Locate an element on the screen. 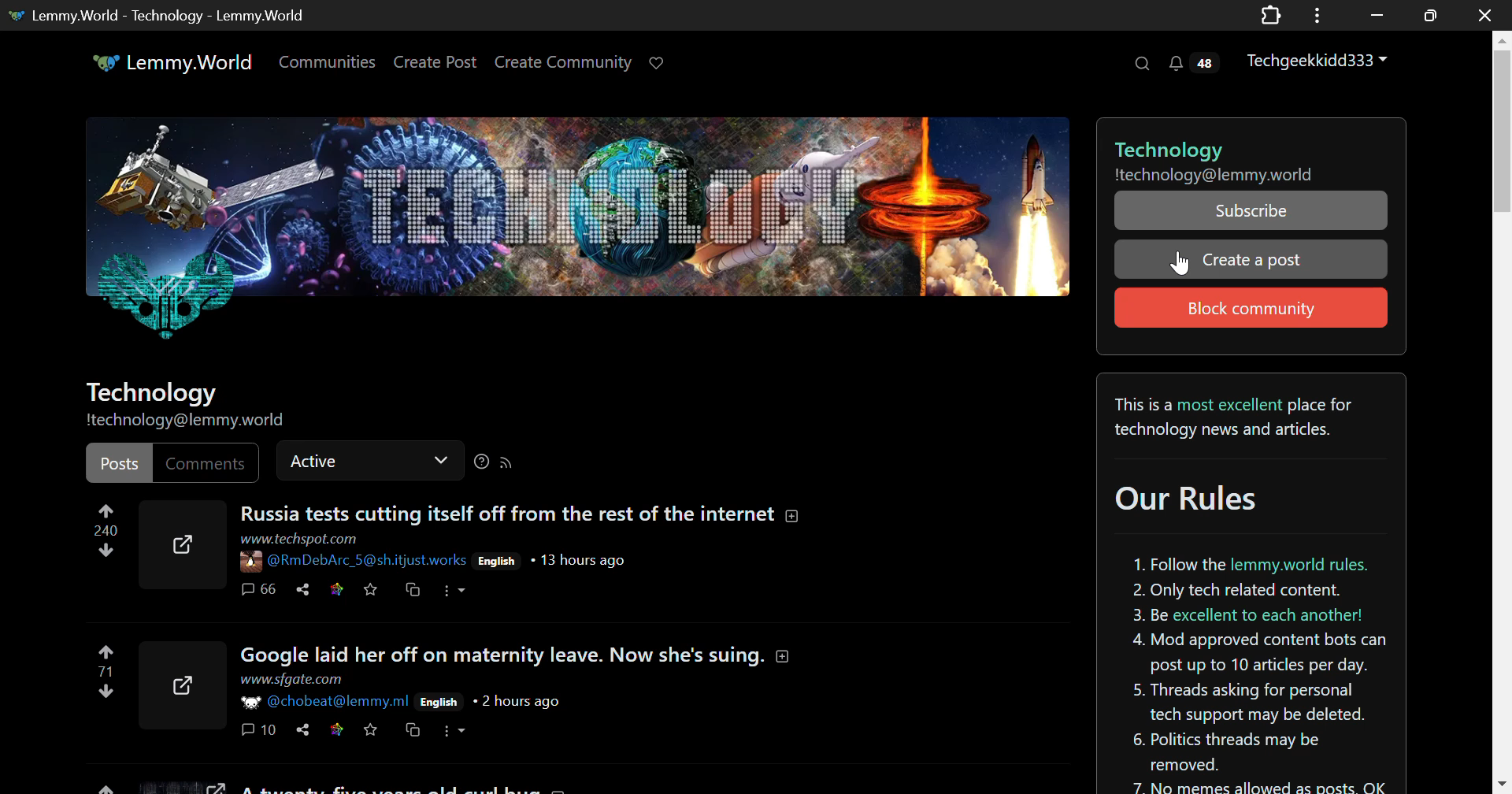 This screenshot has height=794, width=1512. Comments is located at coordinates (205, 461).